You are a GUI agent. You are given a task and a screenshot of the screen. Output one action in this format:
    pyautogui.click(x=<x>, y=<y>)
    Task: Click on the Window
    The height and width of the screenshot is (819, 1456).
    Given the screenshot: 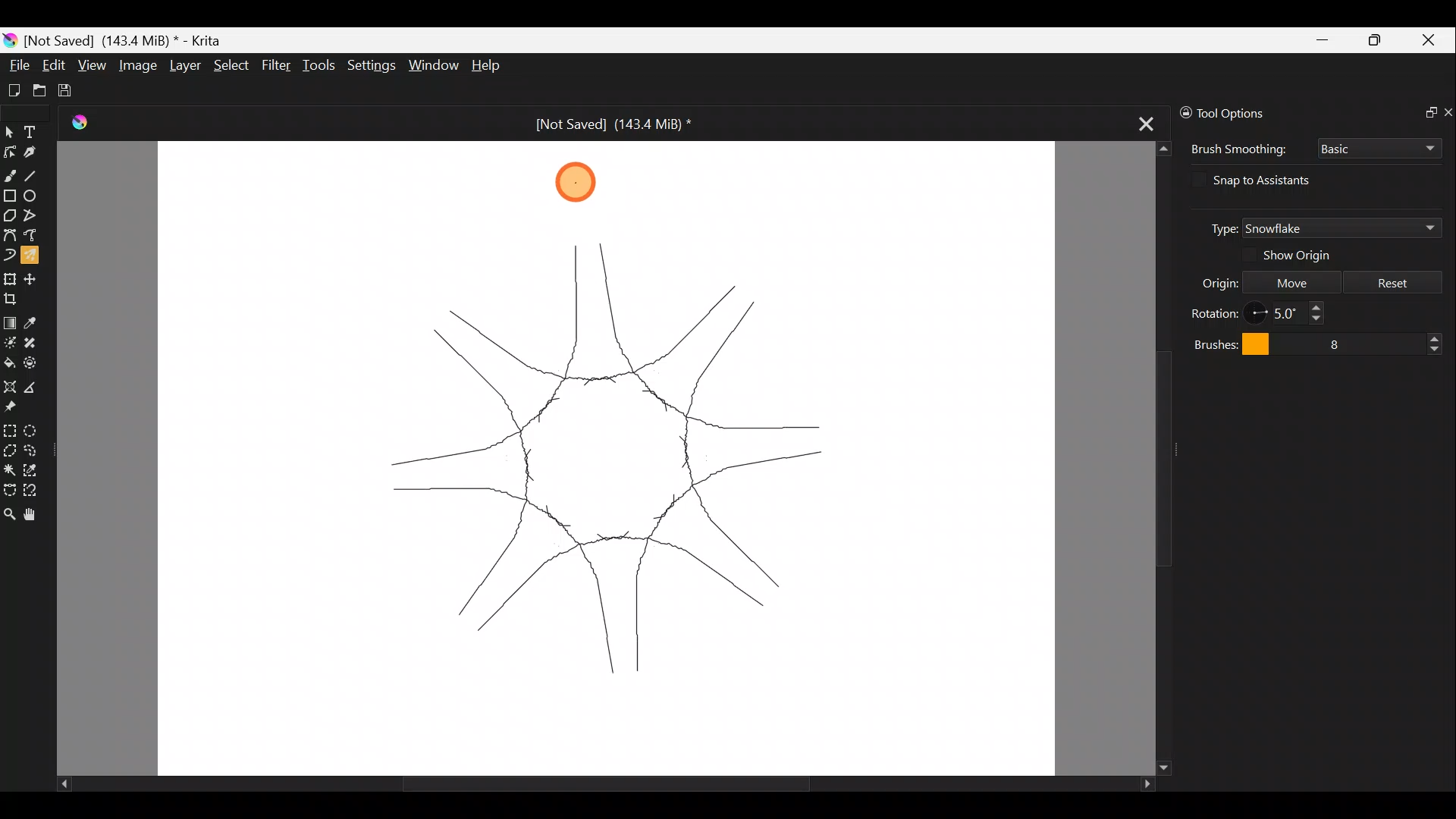 What is the action you would take?
    pyautogui.click(x=432, y=66)
    